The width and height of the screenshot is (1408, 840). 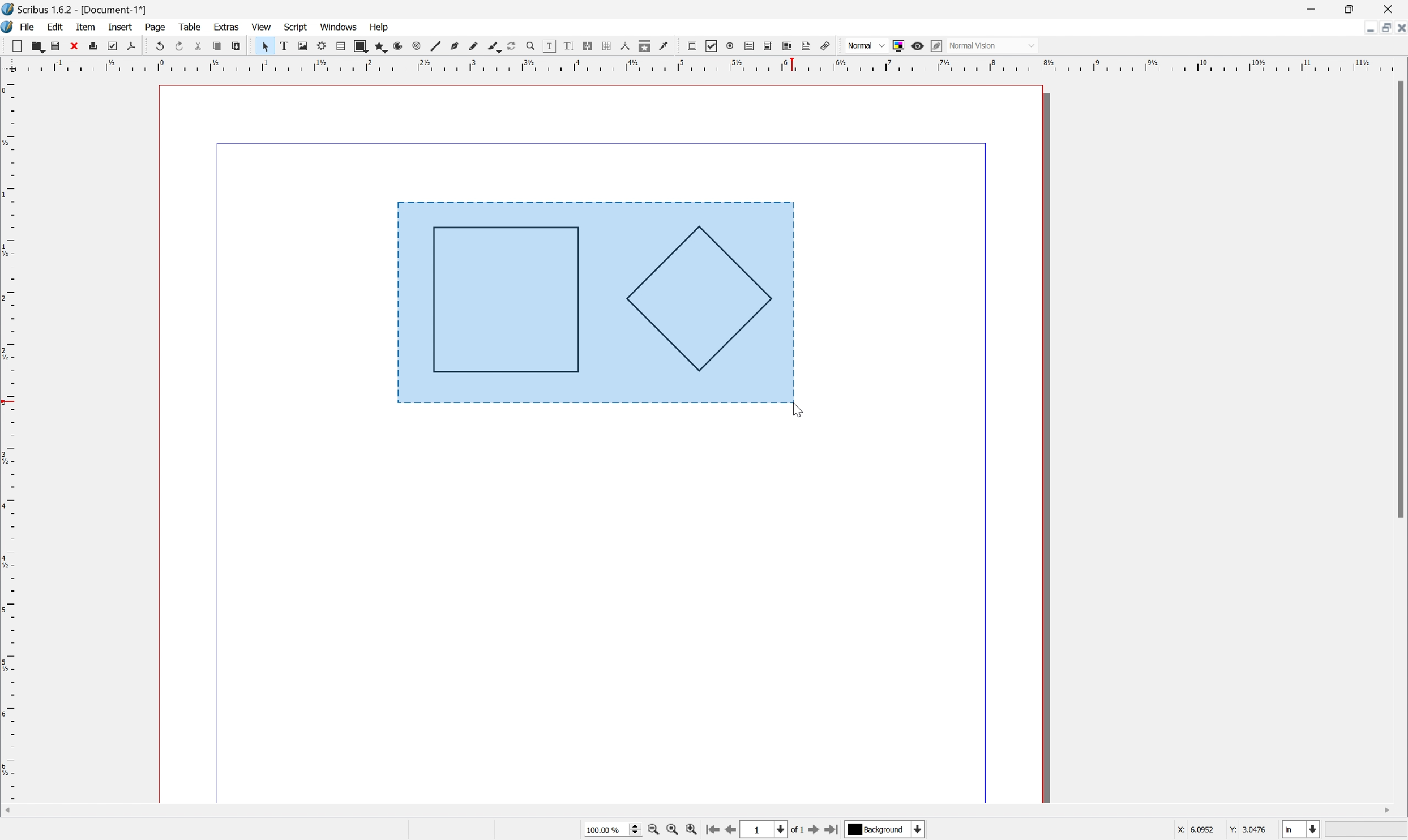 I want to click on pdf checkbox, so click(x=711, y=46).